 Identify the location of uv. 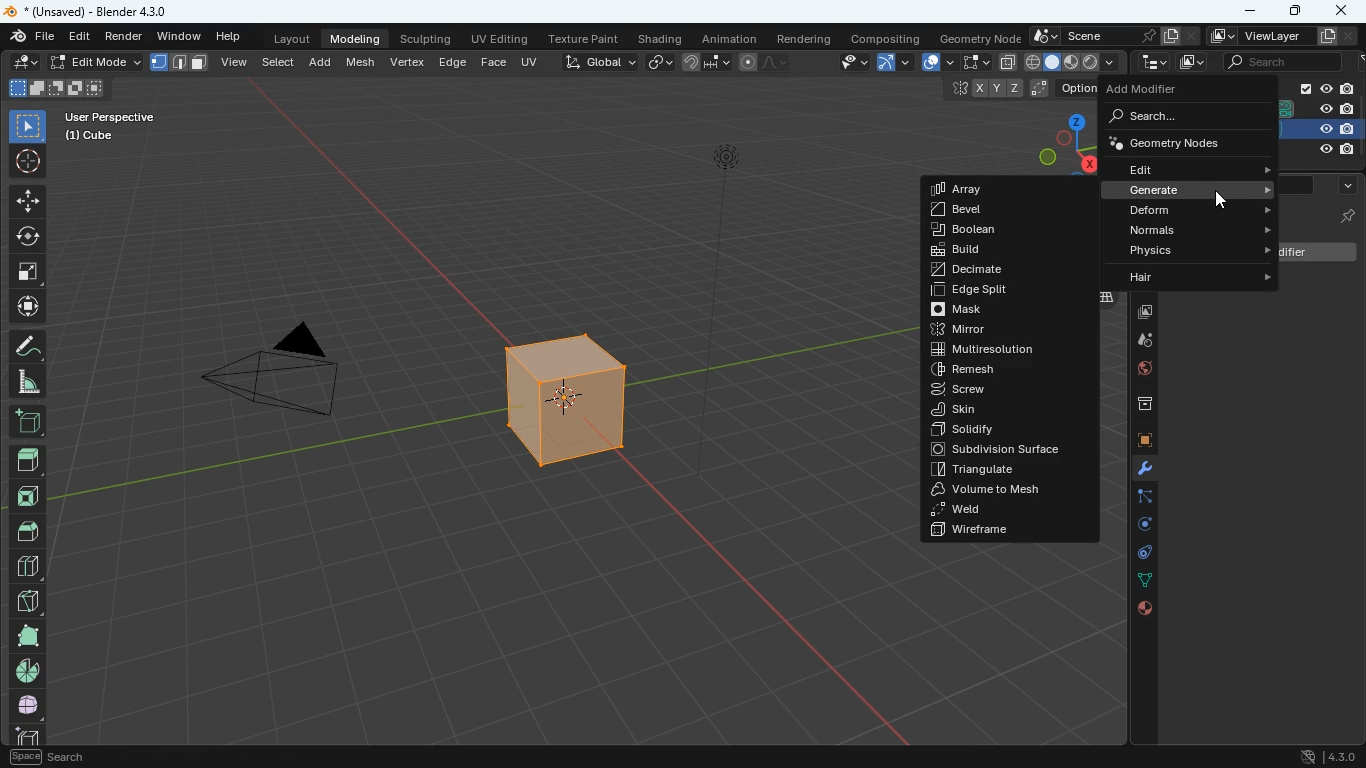
(527, 61).